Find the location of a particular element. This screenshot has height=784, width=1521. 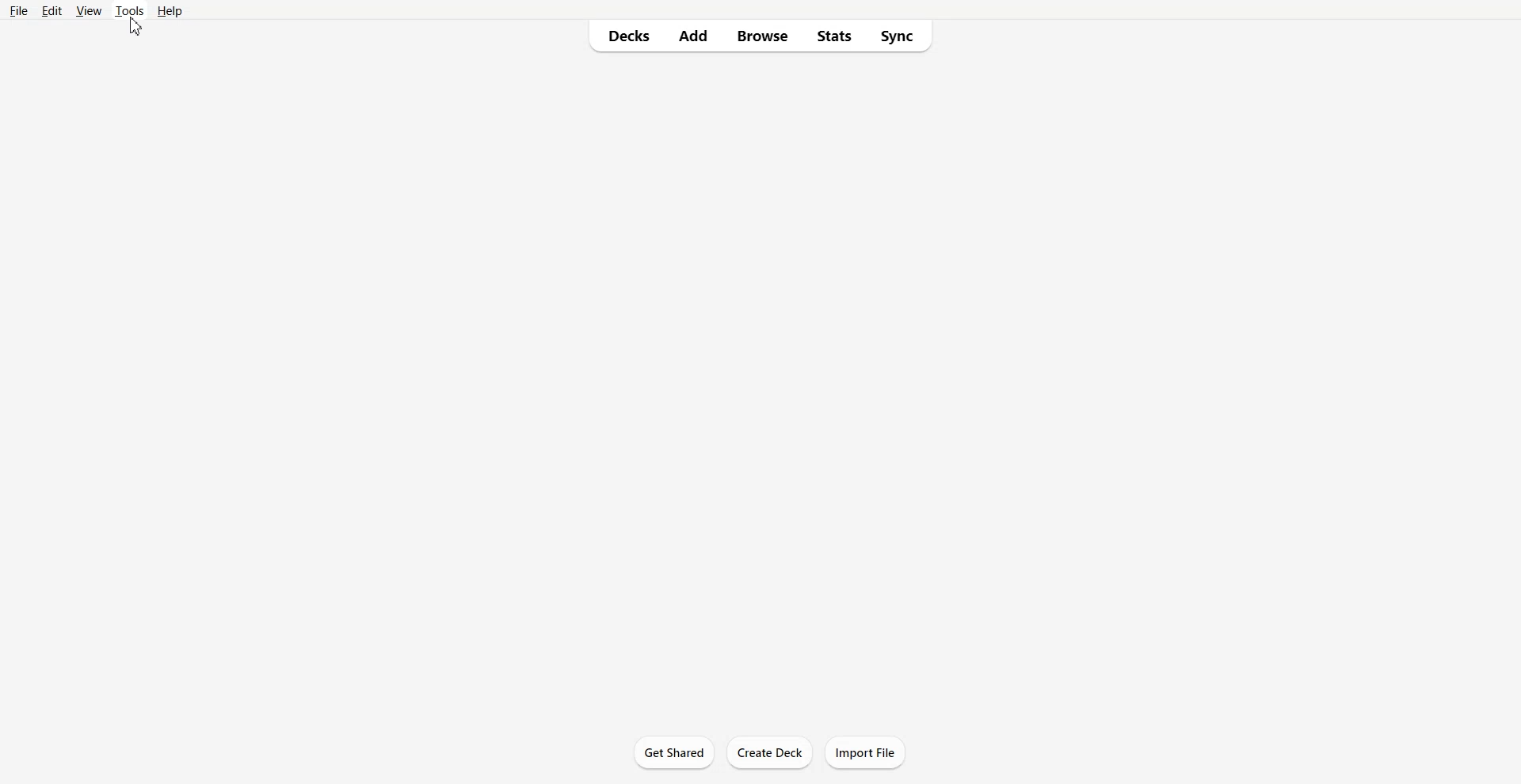

Add is located at coordinates (695, 36).